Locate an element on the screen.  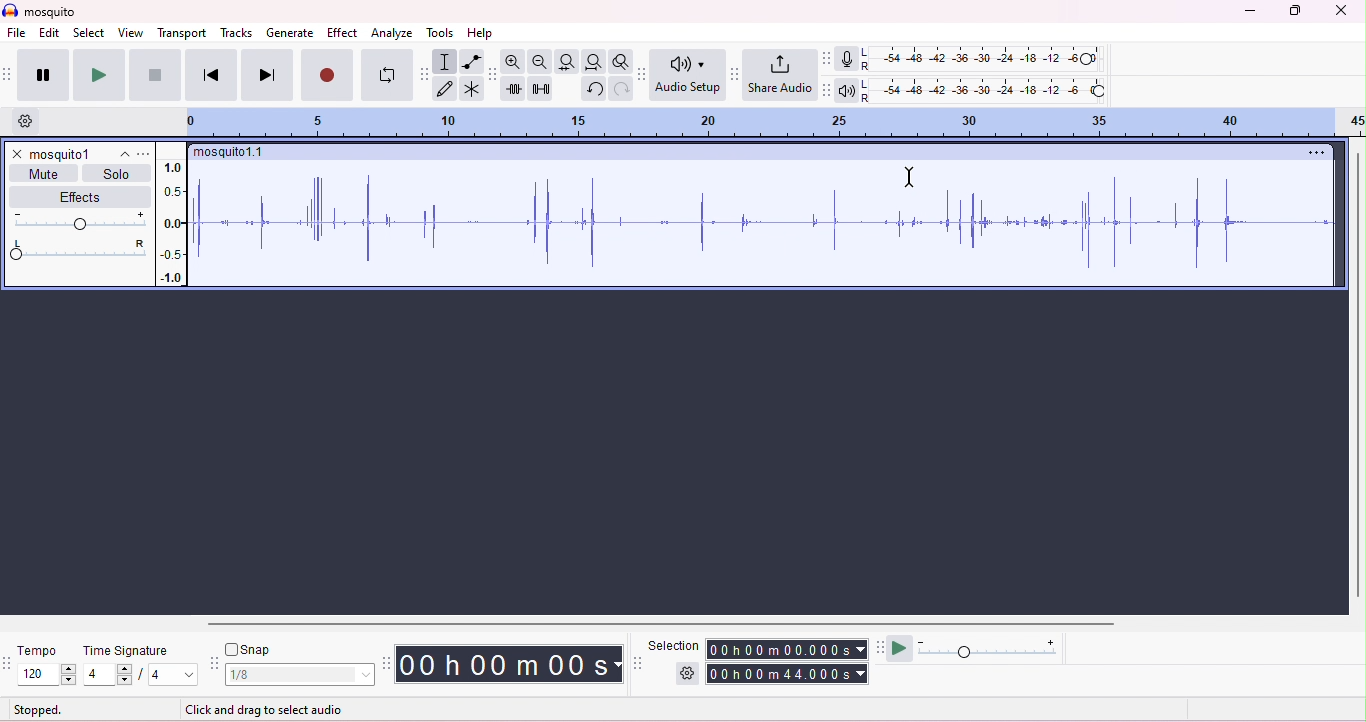
track title is located at coordinates (79, 154).